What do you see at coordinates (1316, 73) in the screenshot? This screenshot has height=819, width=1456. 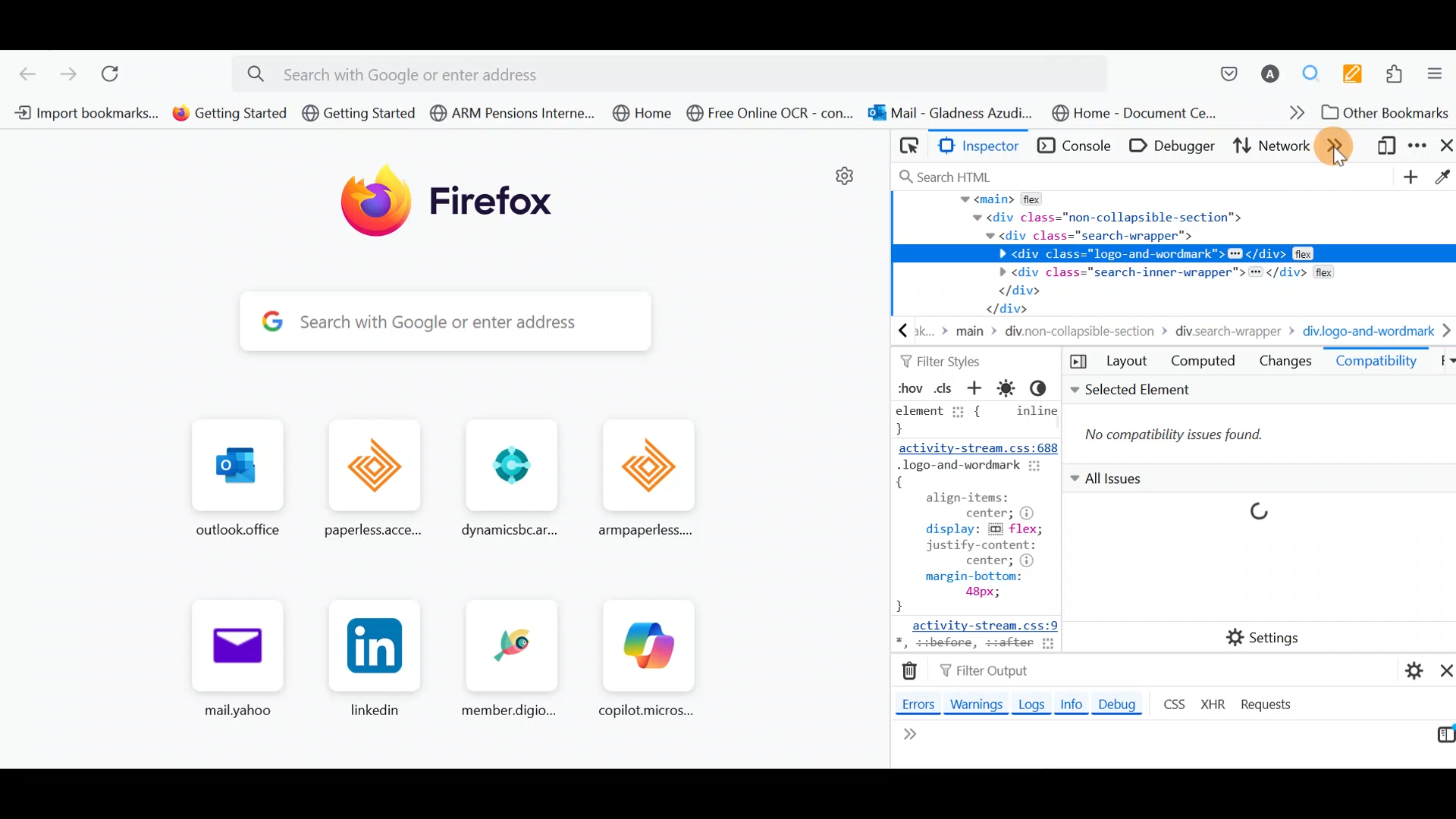 I see `Multiple search & highlight` at bounding box center [1316, 73].